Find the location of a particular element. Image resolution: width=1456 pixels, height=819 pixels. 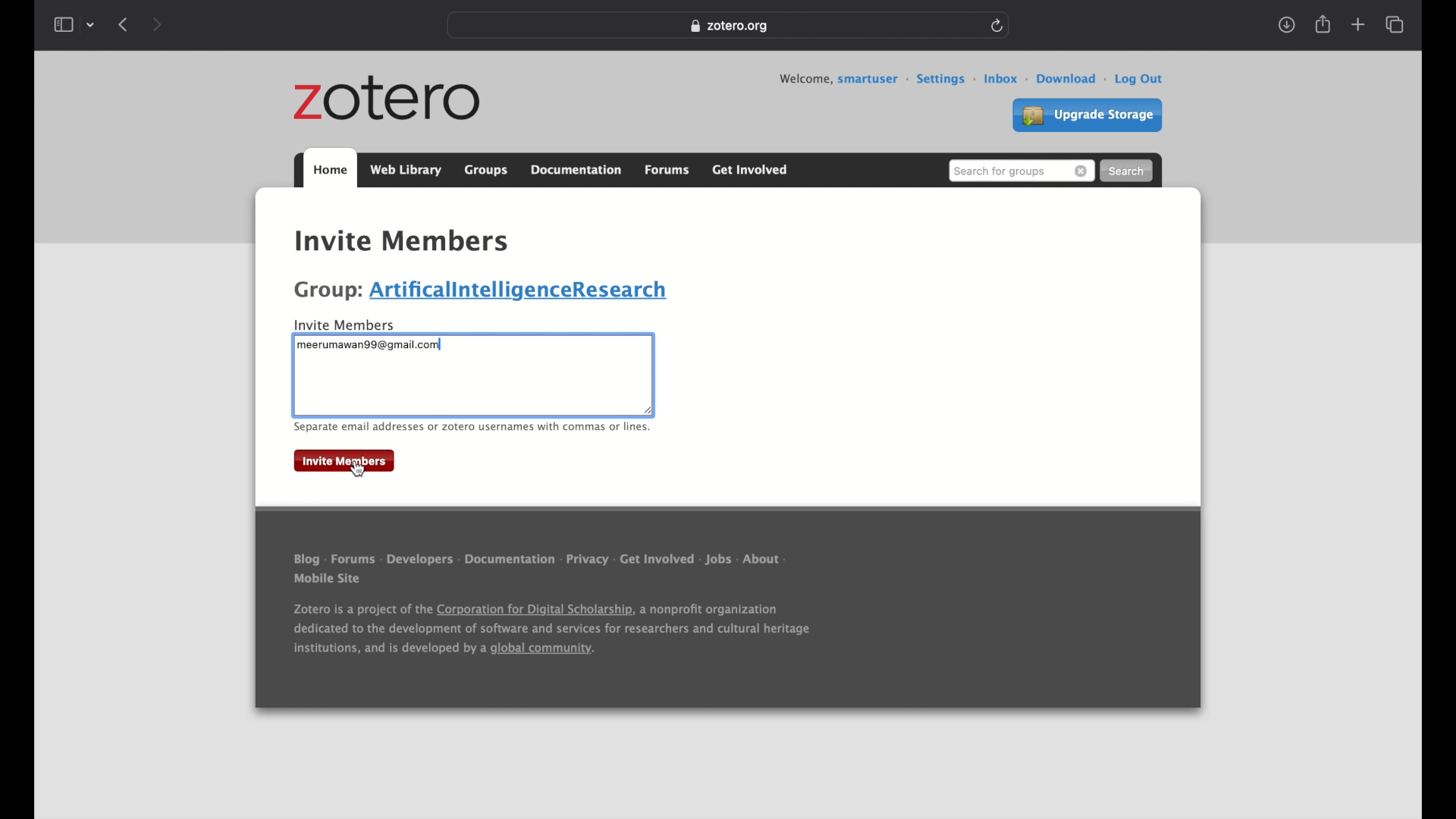

email address is located at coordinates (369, 346).